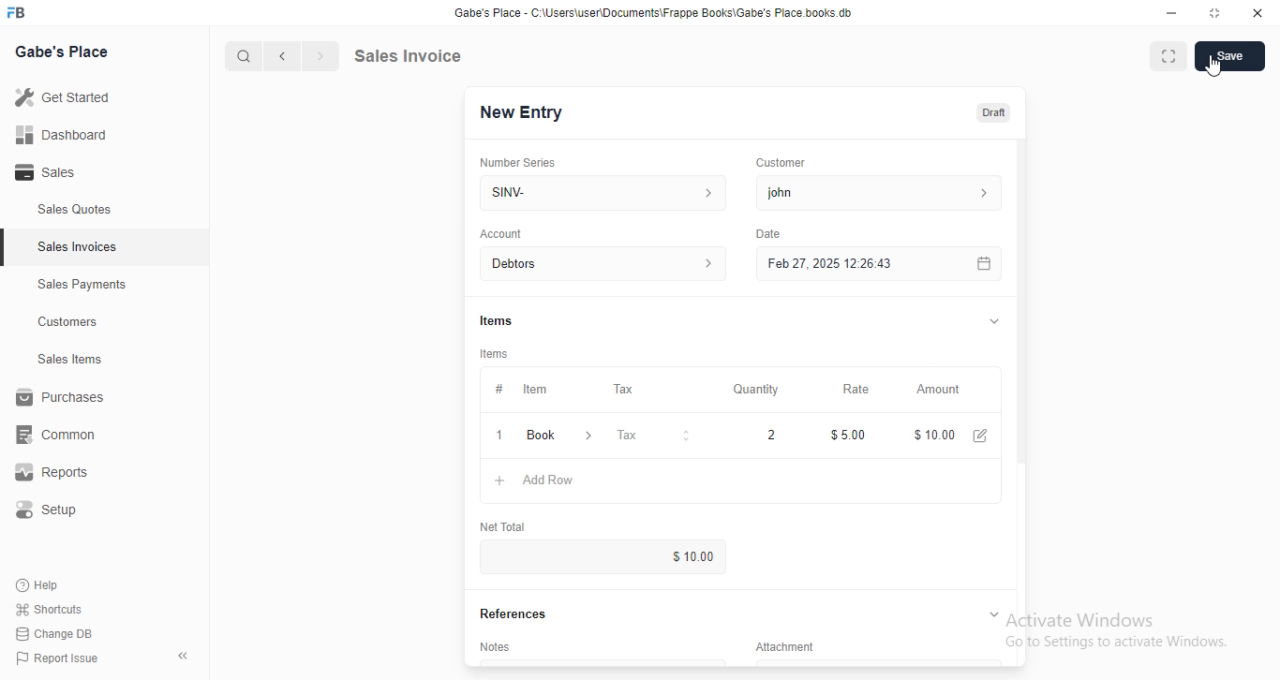 Image resolution: width=1280 pixels, height=680 pixels. I want to click on john >, so click(885, 192).